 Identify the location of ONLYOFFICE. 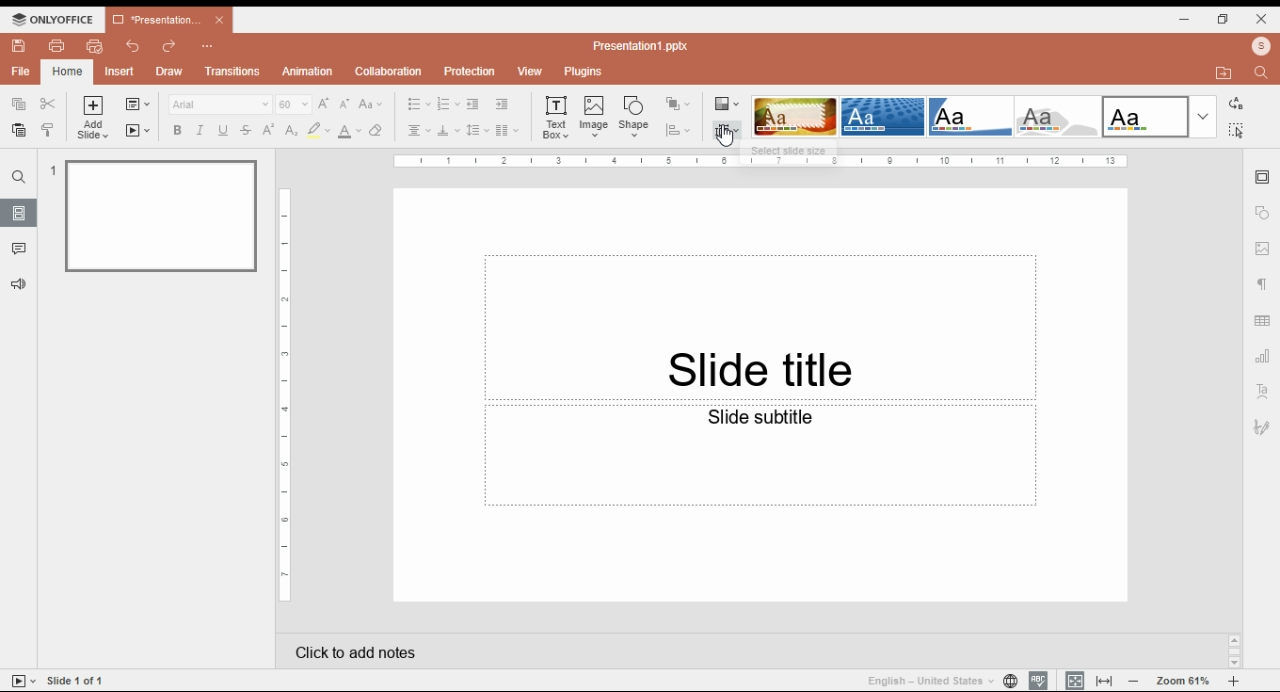
(53, 19).